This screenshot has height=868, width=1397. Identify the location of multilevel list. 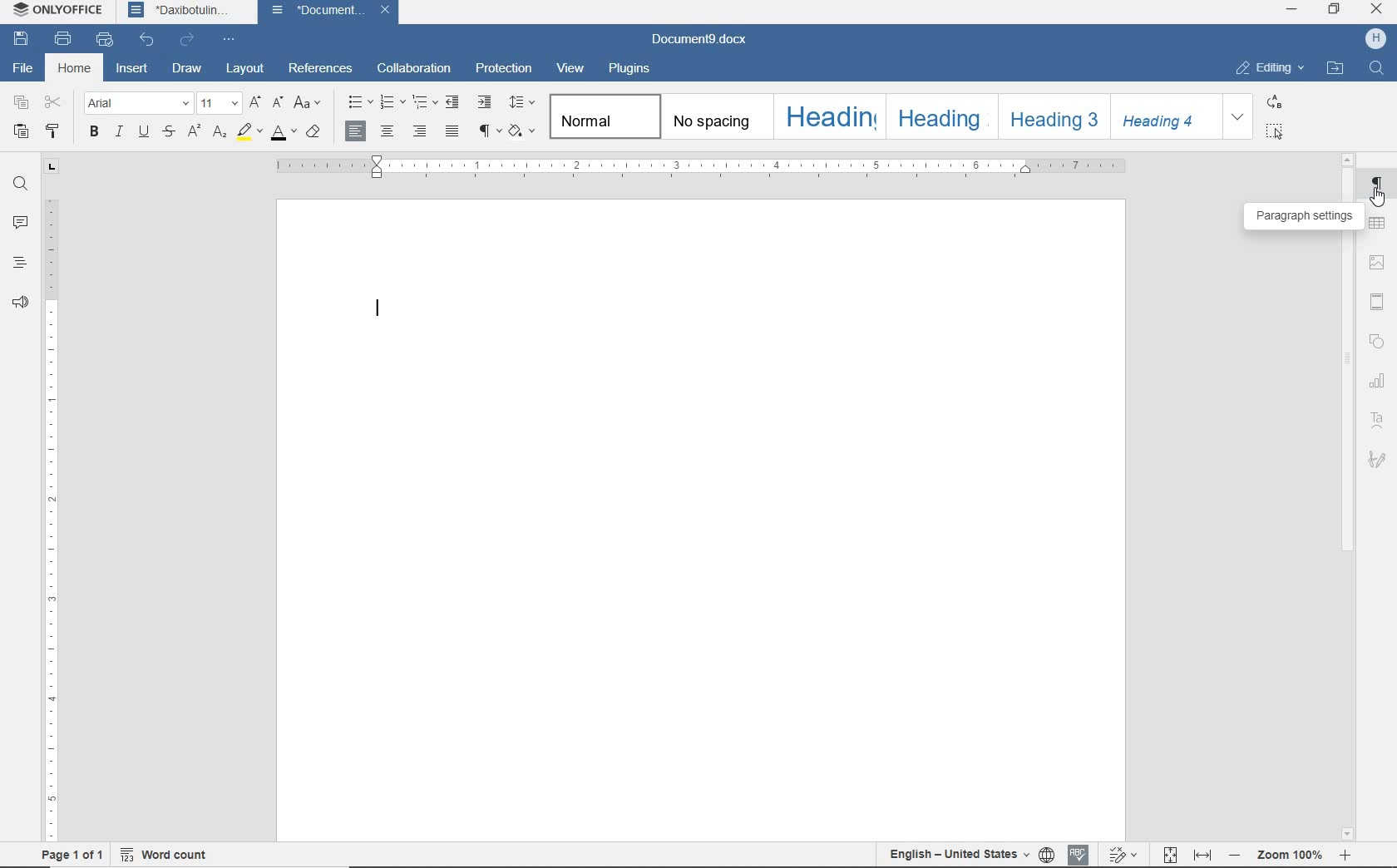
(427, 104).